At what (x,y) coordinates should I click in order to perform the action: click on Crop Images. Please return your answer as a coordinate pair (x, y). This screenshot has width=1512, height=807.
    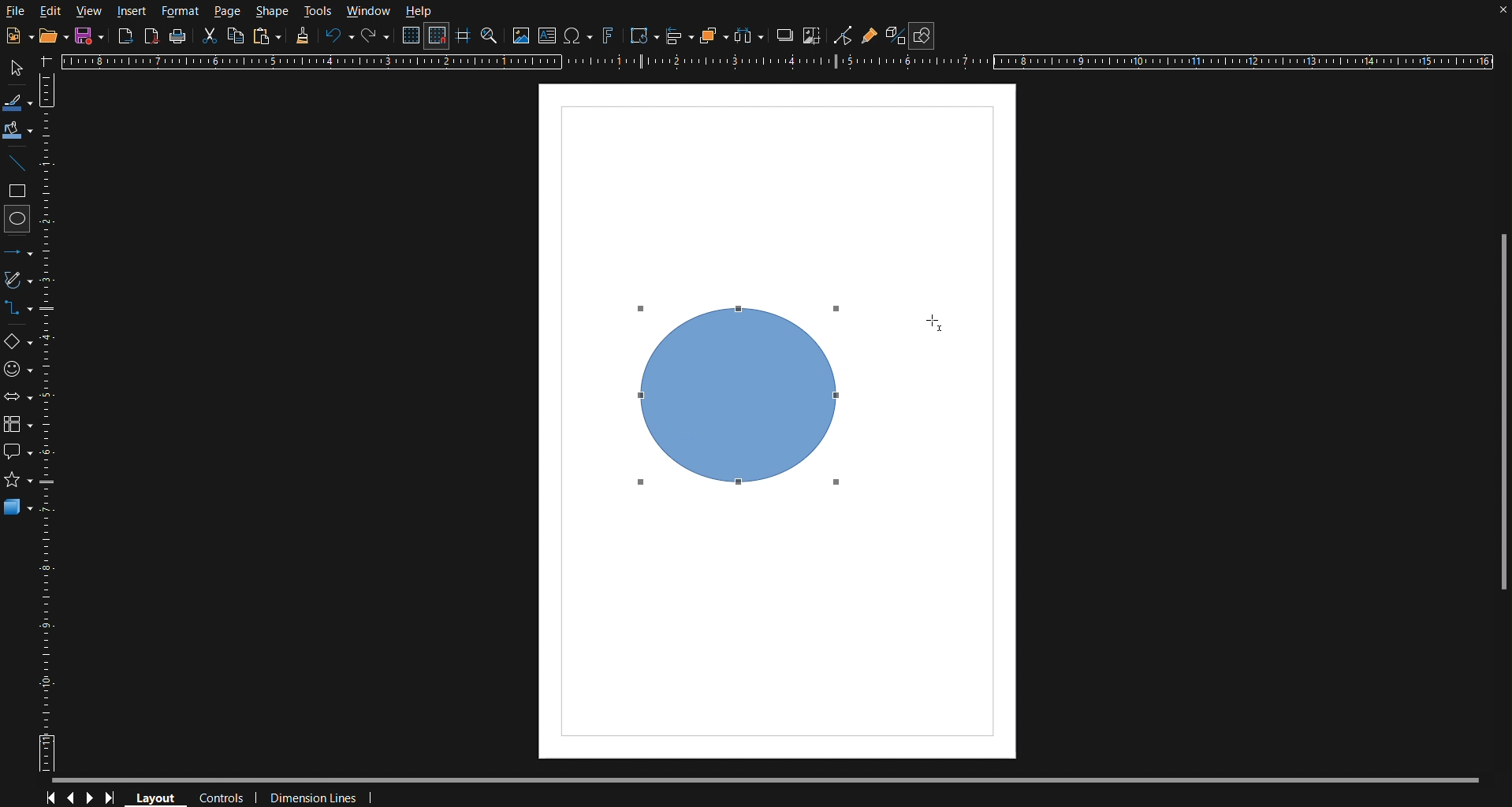
    Looking at the image, I should click on (814, 36).